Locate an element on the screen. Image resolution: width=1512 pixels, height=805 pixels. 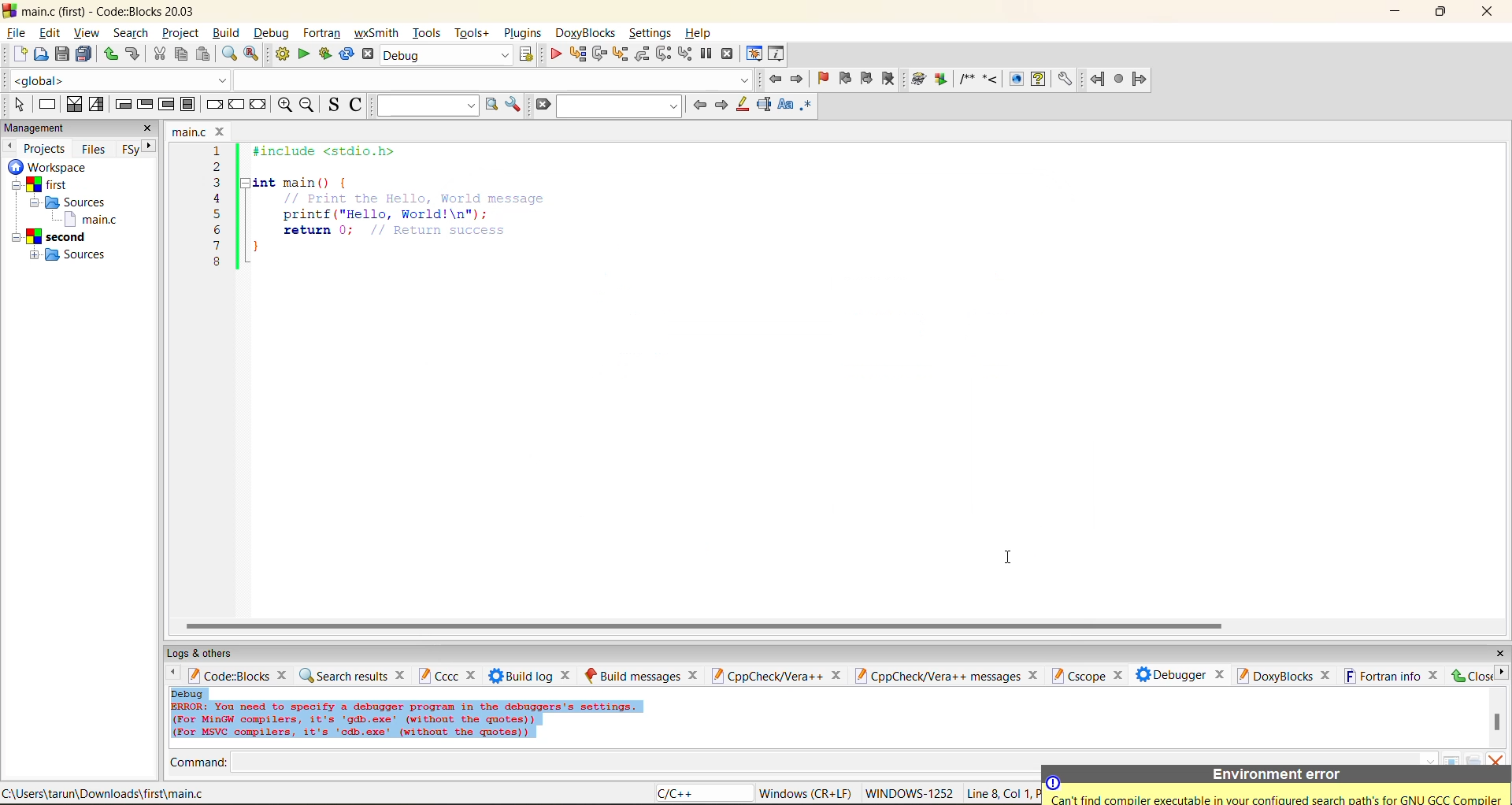
step out is located at coordinates (641, 54).